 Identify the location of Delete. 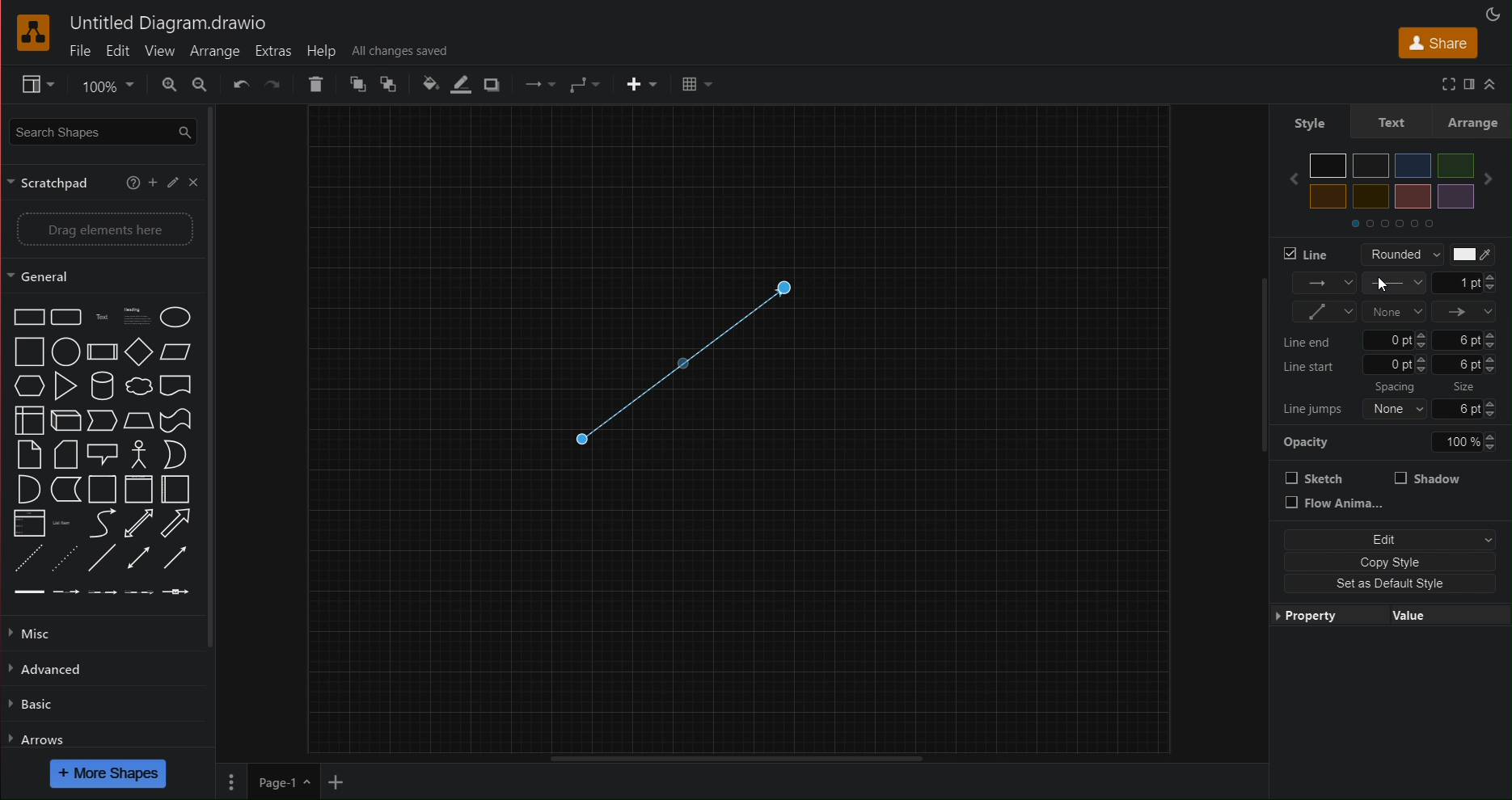
(319, 84).